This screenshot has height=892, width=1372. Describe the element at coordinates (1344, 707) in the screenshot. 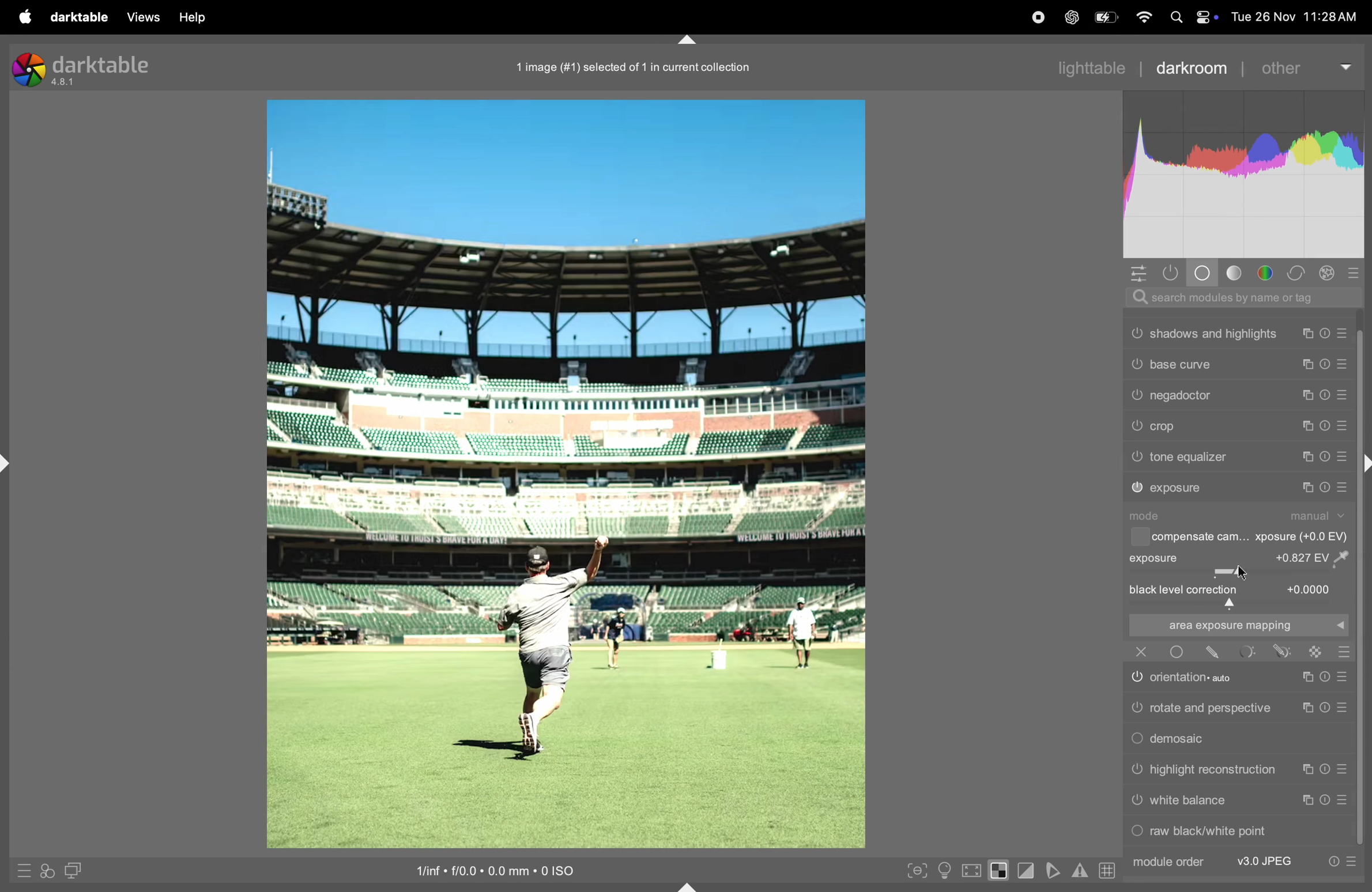

I see `Preset` at that location.